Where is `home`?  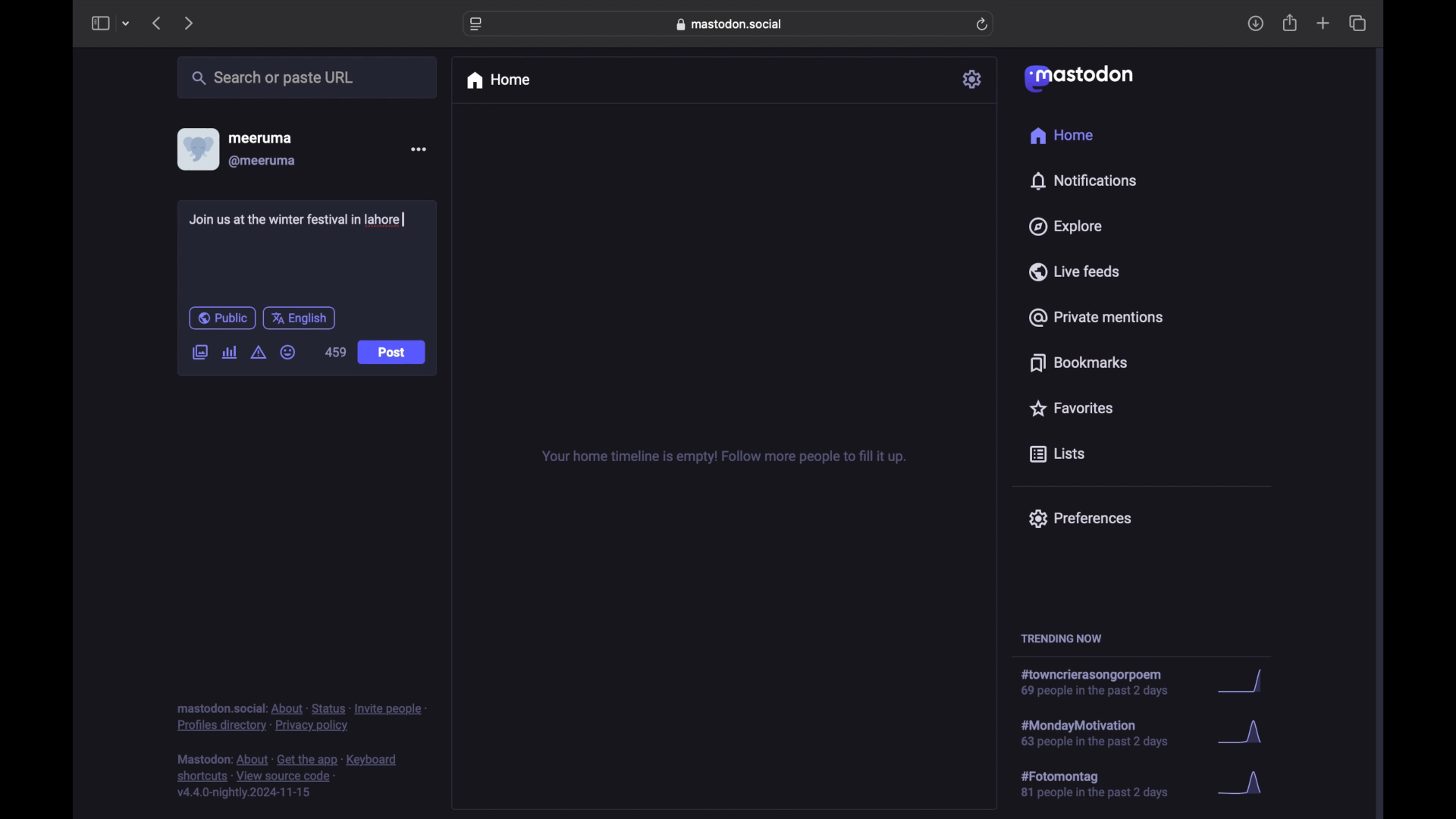
home is located at coordinates (497, 80).